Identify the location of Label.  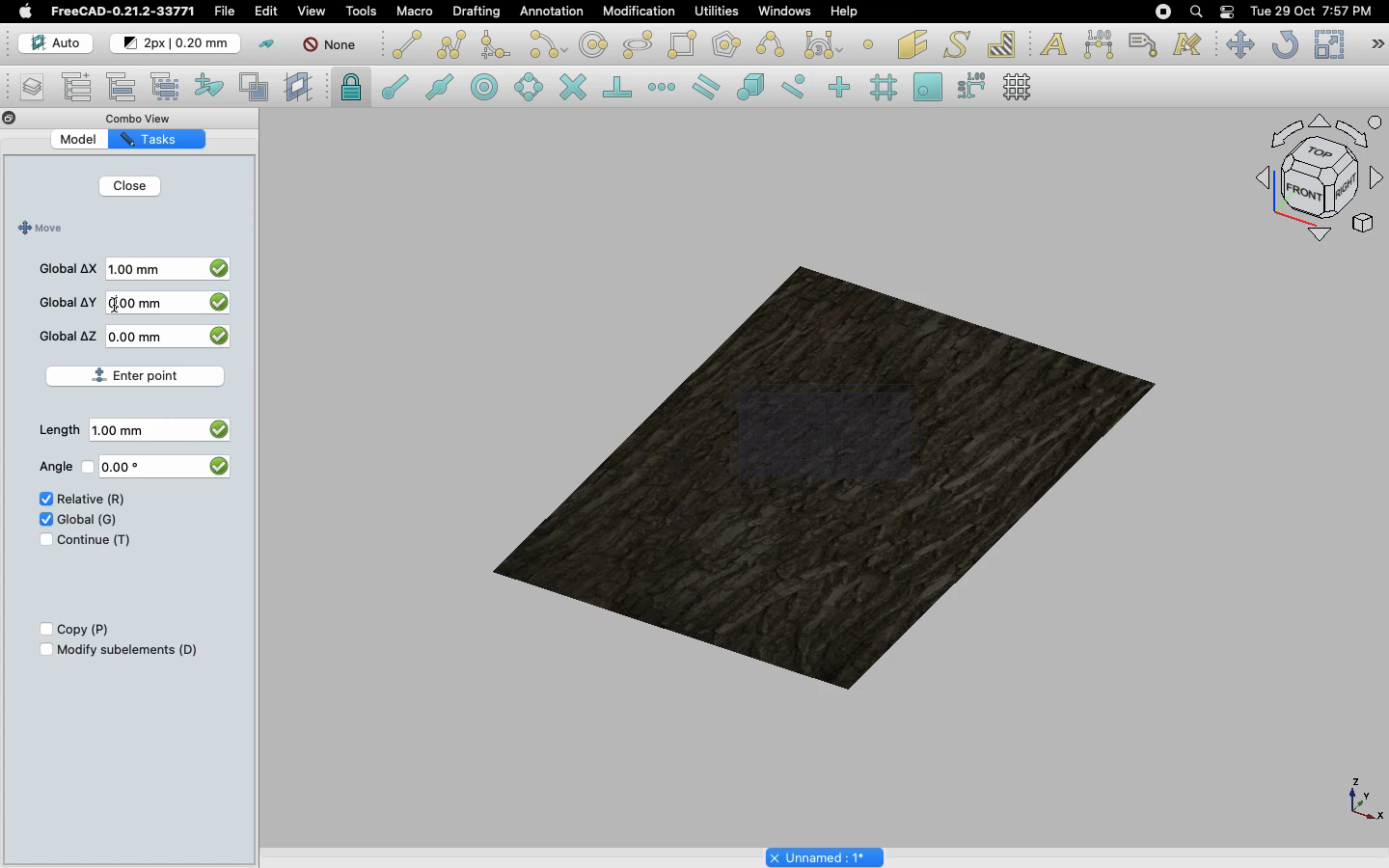
(1146, 44).